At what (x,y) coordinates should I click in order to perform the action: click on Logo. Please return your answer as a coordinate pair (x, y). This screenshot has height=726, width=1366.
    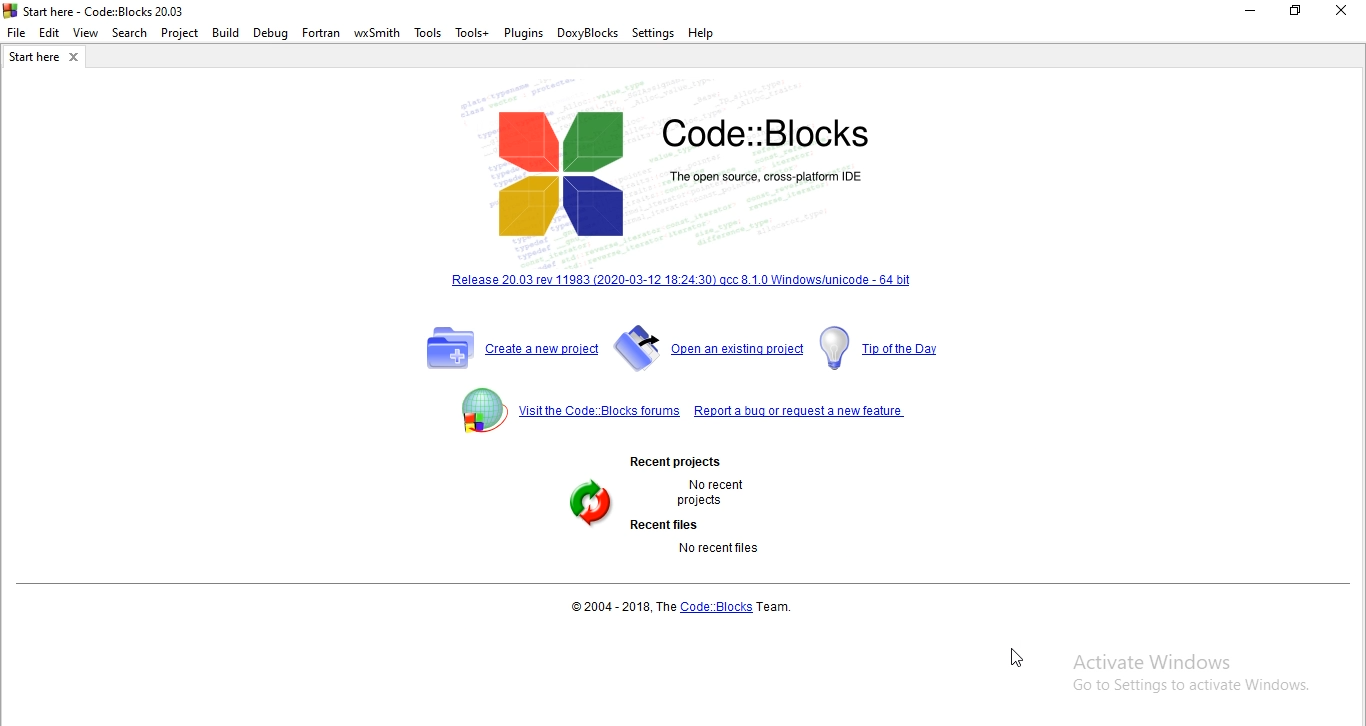
    Looking at the image, I should click on (446, 342).